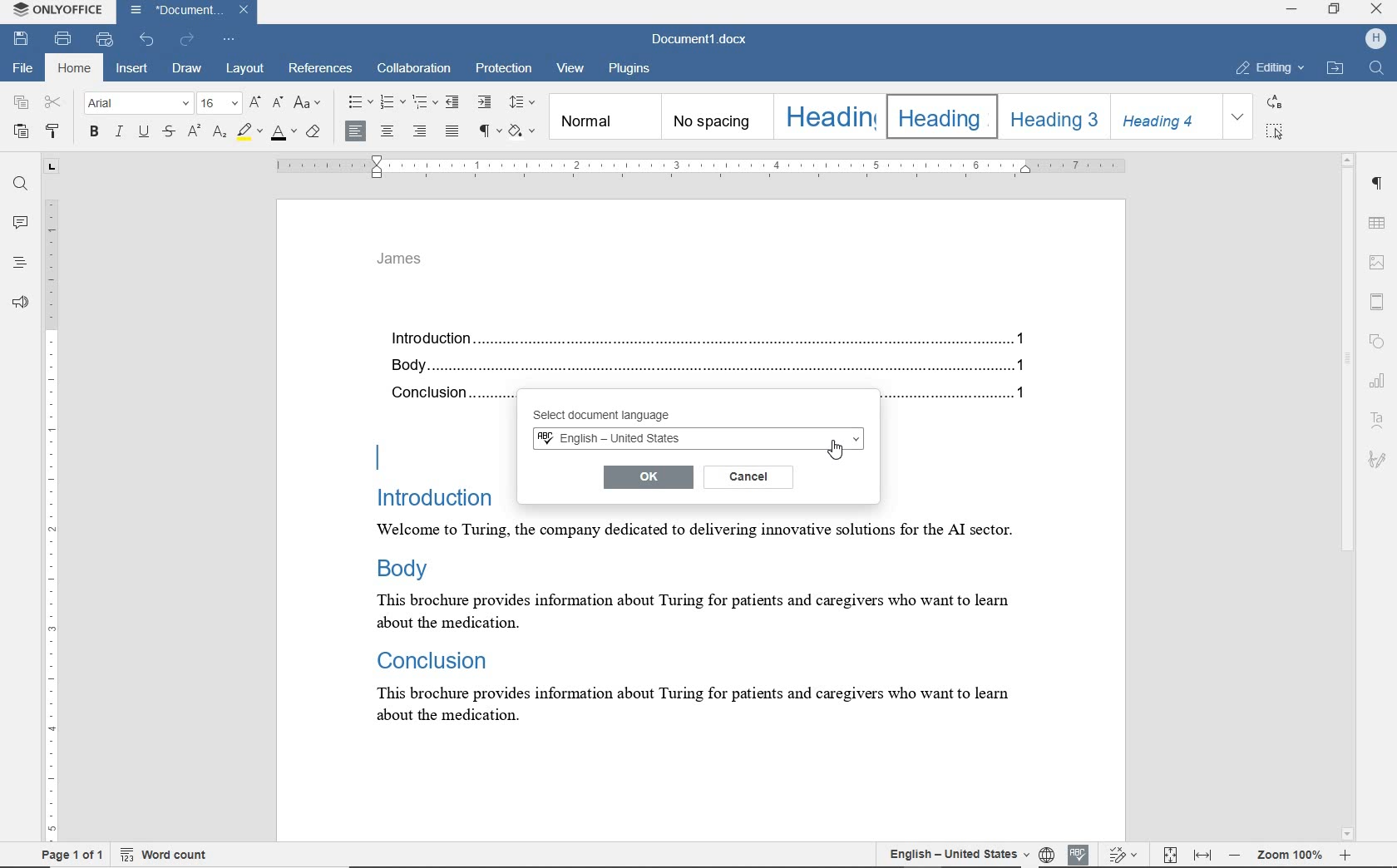  Describe the element at coordinates (454, 101) in the screenshot. I see `decrease indent` at that location.